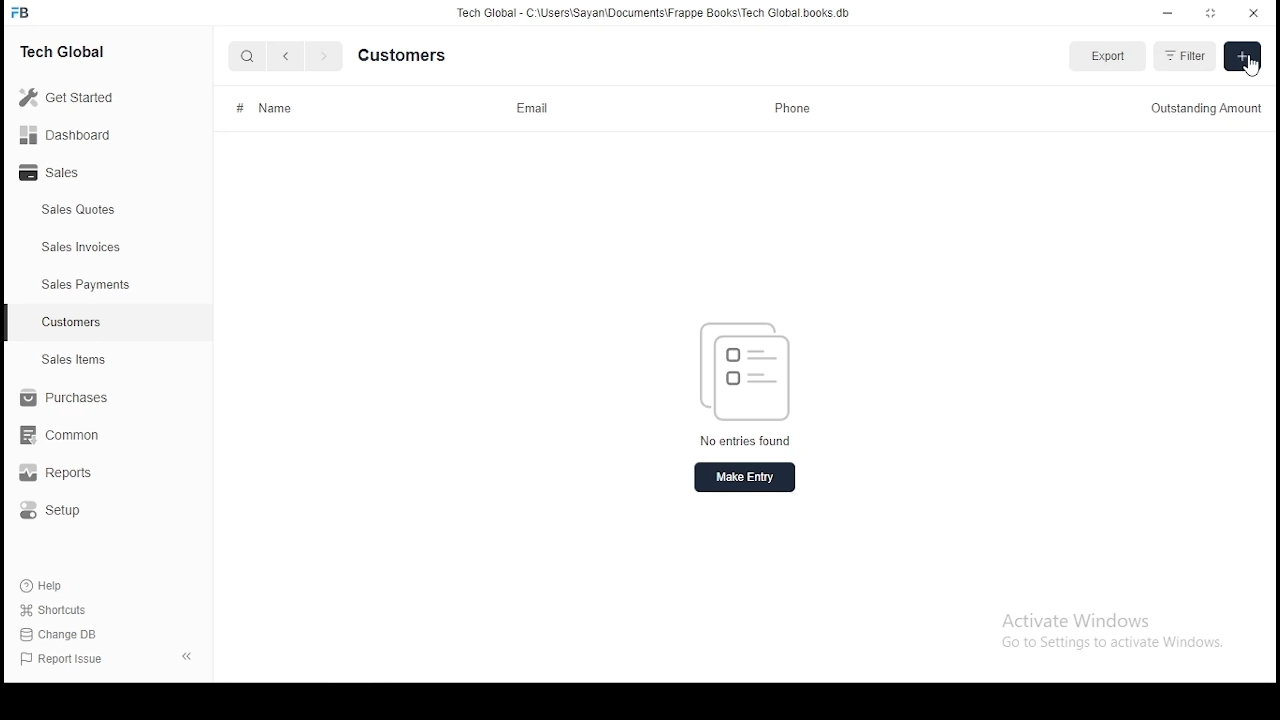  What do you see at coordinates (286, 56) in the screenshot?
I see `previous` at bounding box center [286, 56].